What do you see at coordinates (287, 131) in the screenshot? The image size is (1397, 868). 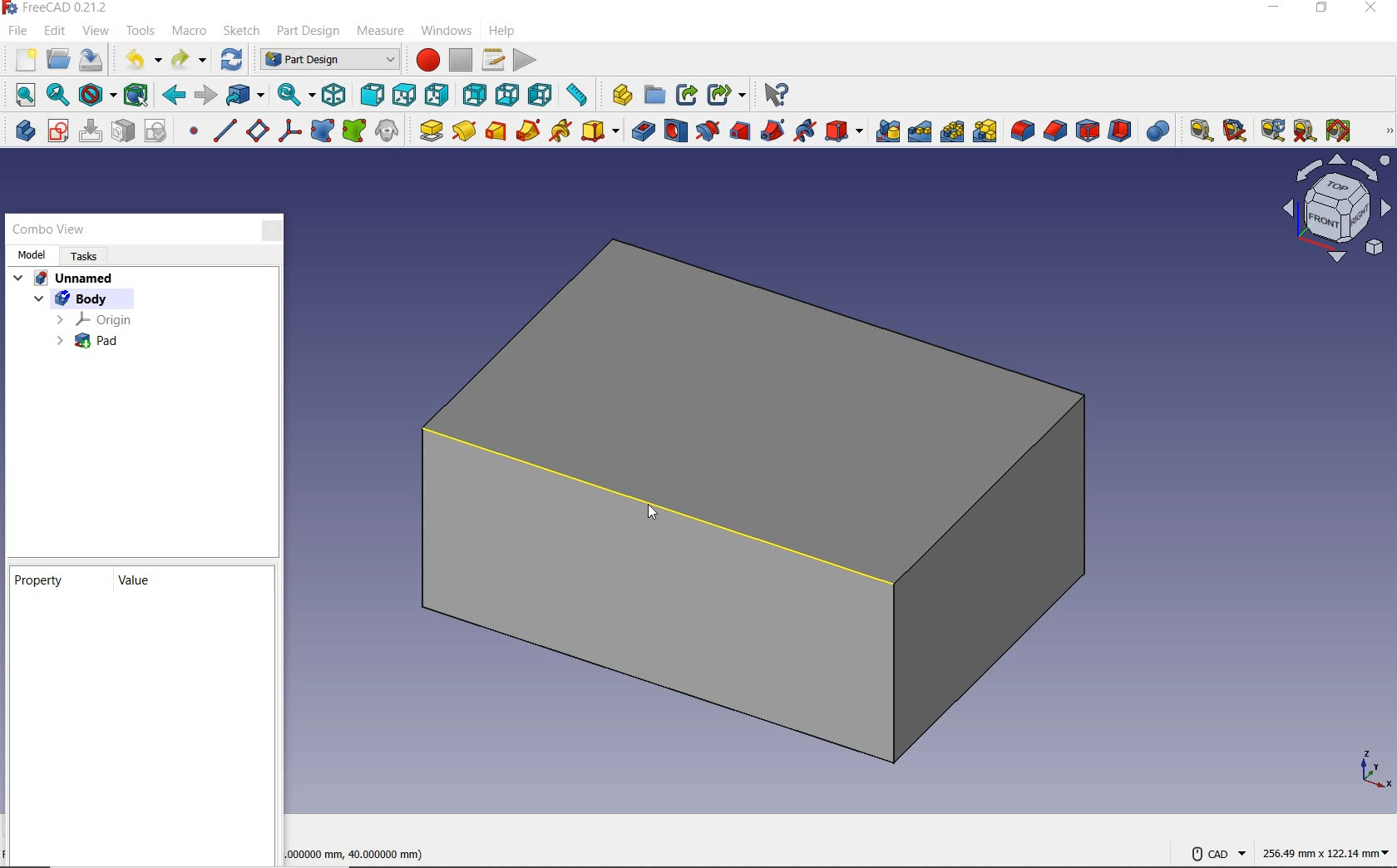 I see `create a local coordinate system` at bounding box center [287, 131].